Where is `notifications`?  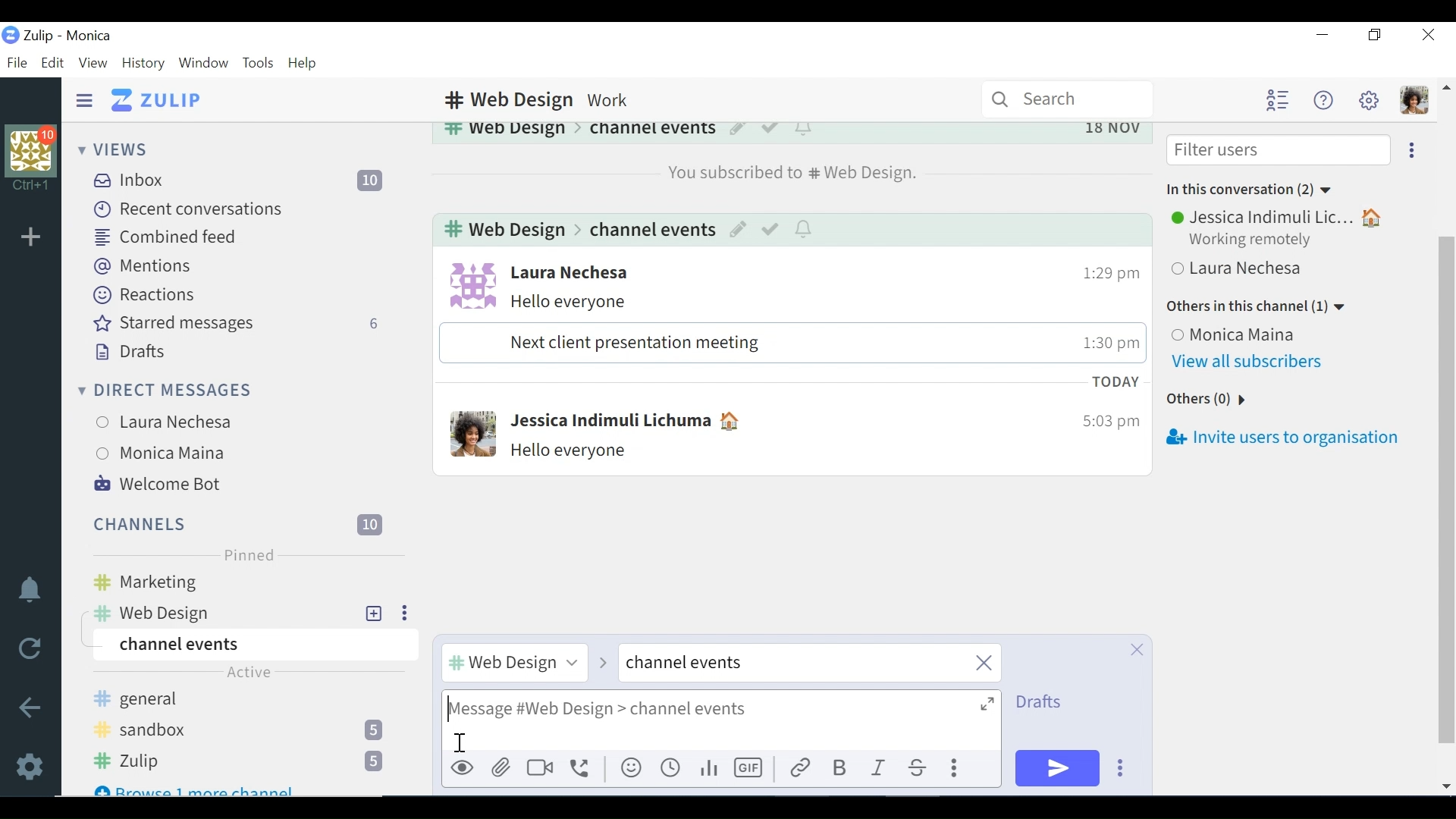
notifications is located at coordinates (800, 228).